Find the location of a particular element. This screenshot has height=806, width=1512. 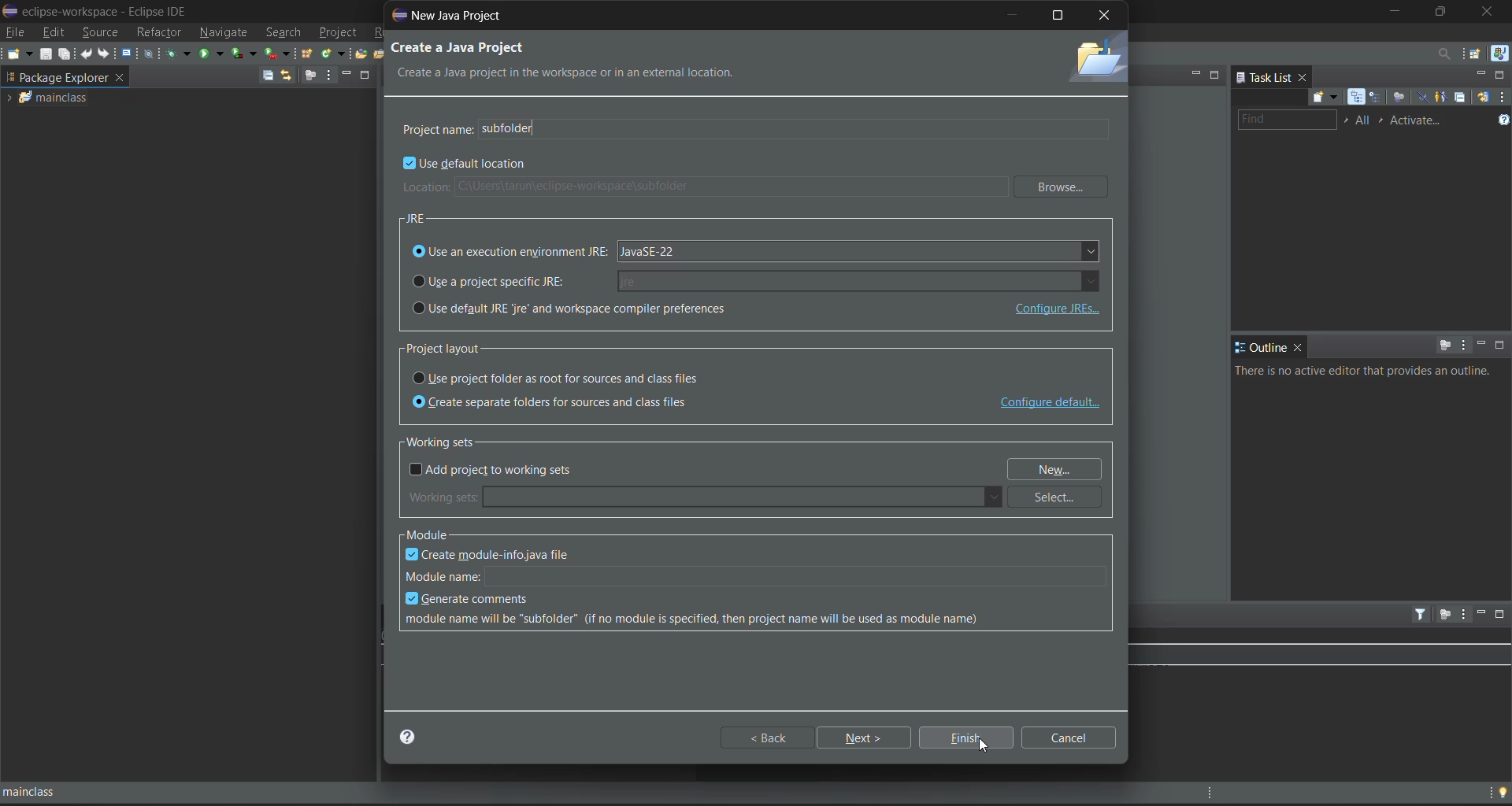

close is located at coordinates (1303, 76).